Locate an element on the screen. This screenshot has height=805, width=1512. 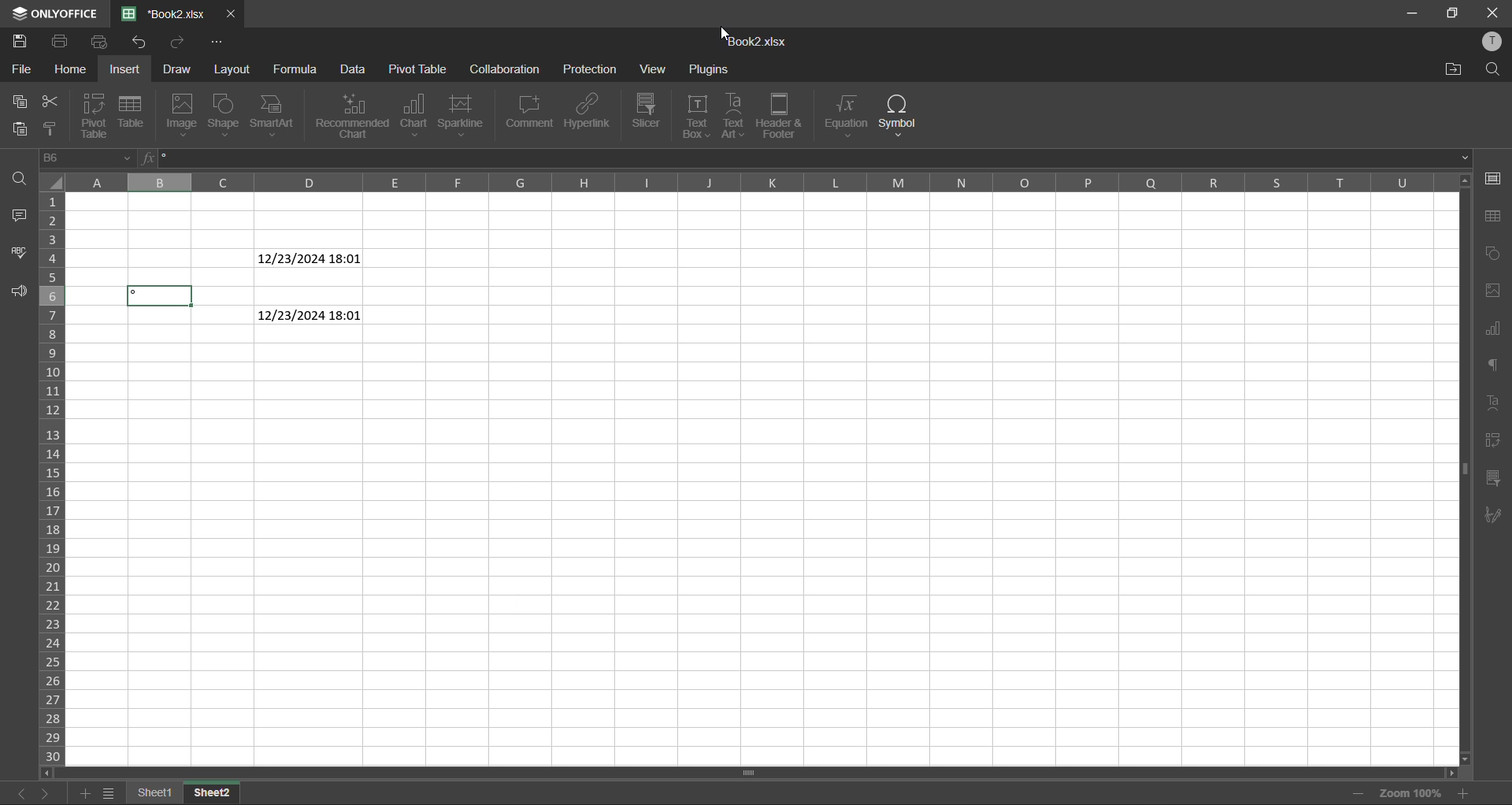
print is located at coordinates (60, 44).